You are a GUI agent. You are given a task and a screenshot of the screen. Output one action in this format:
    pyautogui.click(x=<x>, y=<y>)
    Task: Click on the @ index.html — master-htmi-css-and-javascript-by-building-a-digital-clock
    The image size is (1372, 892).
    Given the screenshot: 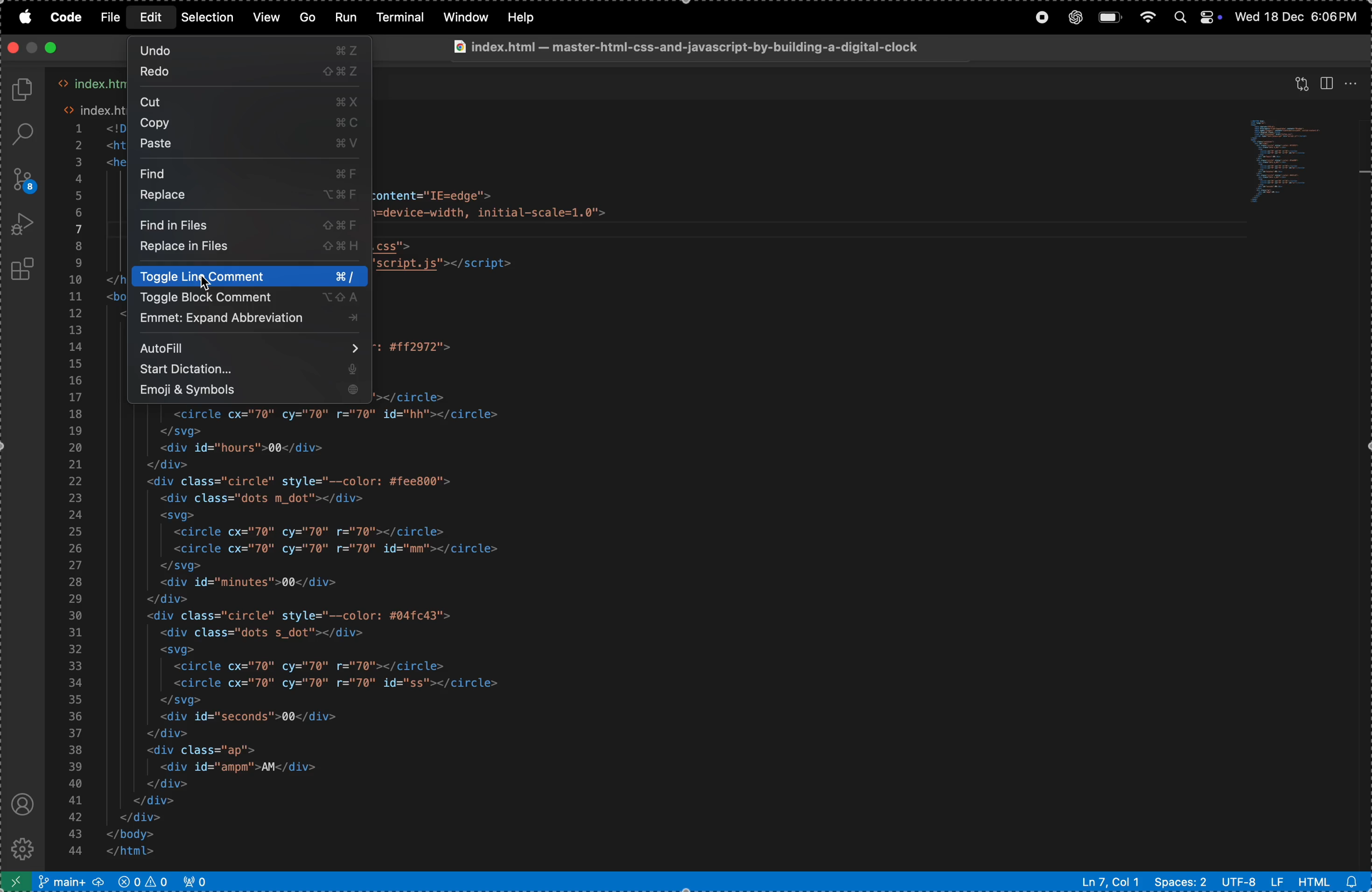 What is the action you would take?
    pyautogui.click(x=684, y=46)
    